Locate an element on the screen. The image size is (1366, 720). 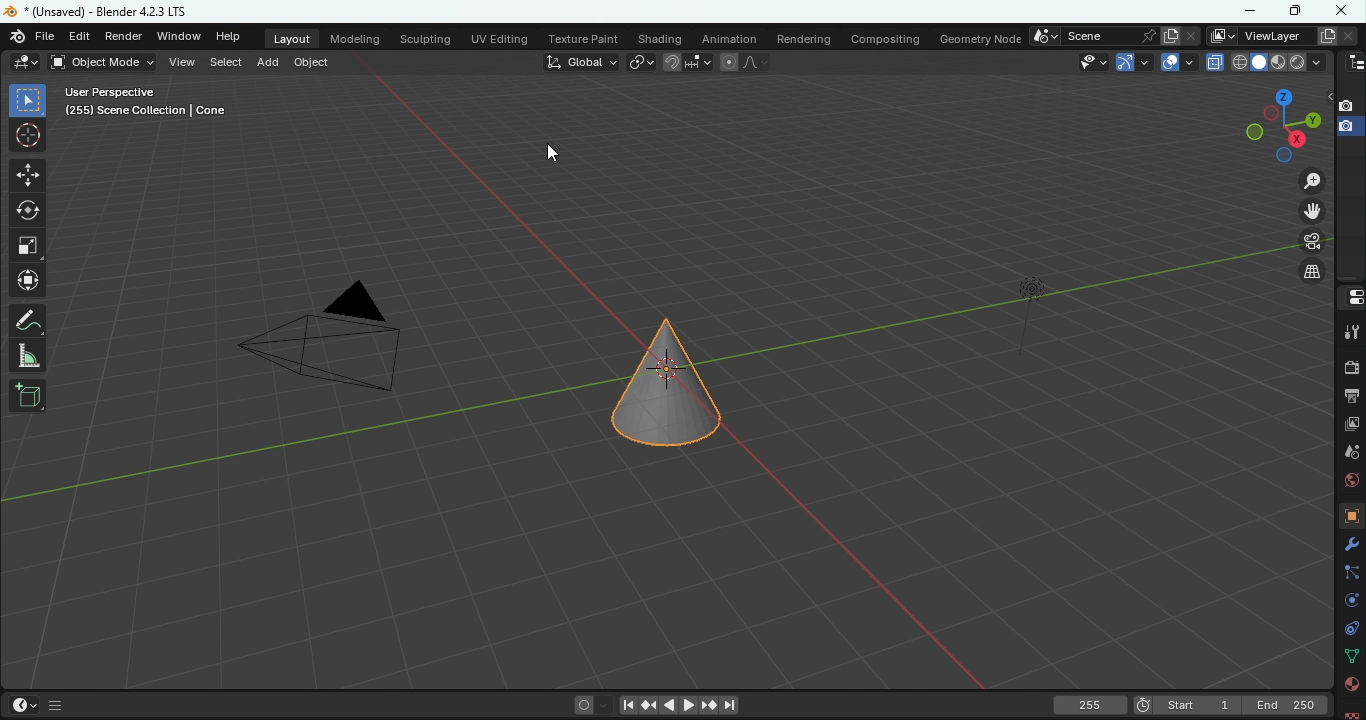
Viewport shading: Material preview is located at coordinates (1277, 62).